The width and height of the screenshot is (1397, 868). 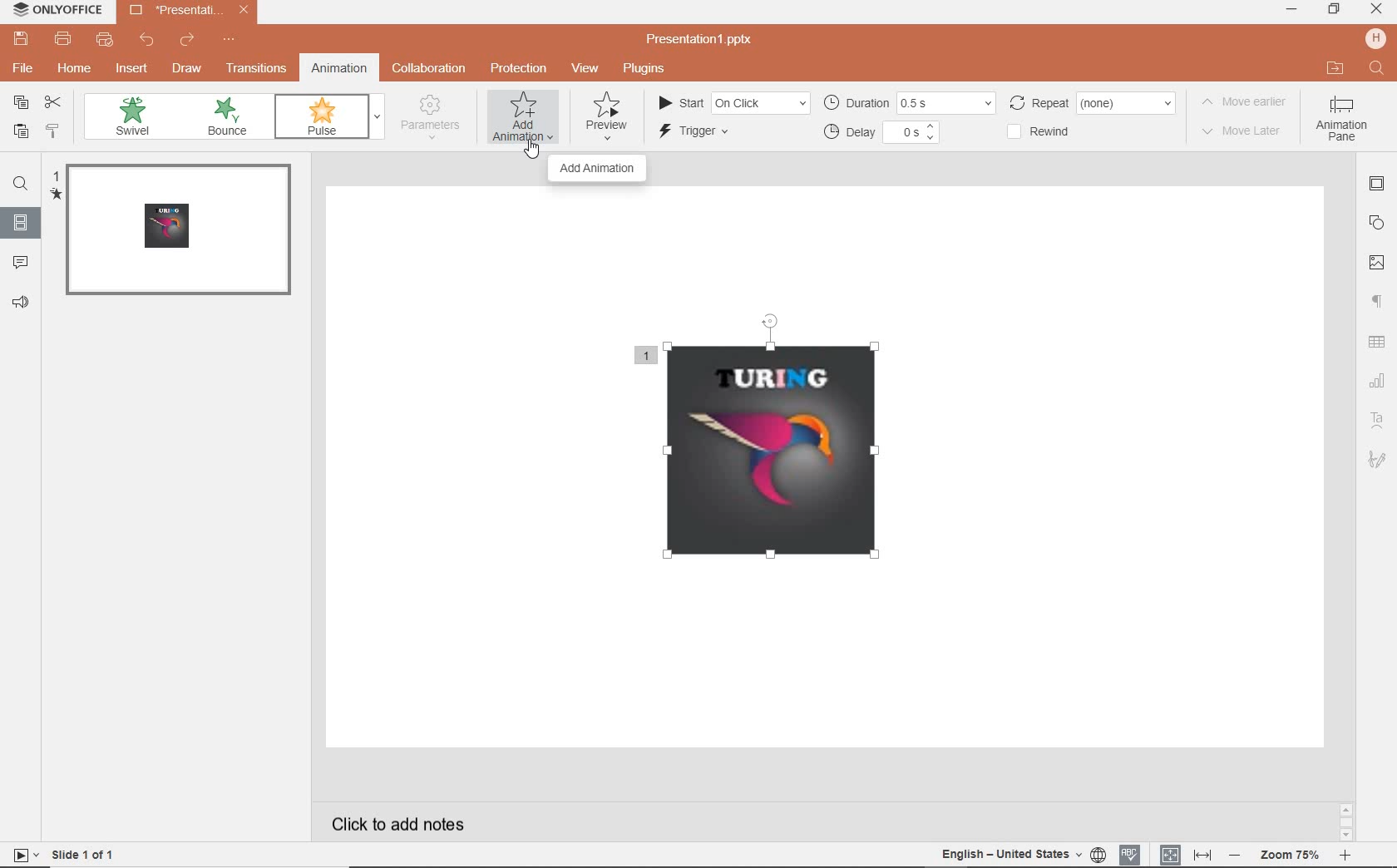 I want to click on redo, so click(x=185, y=40).